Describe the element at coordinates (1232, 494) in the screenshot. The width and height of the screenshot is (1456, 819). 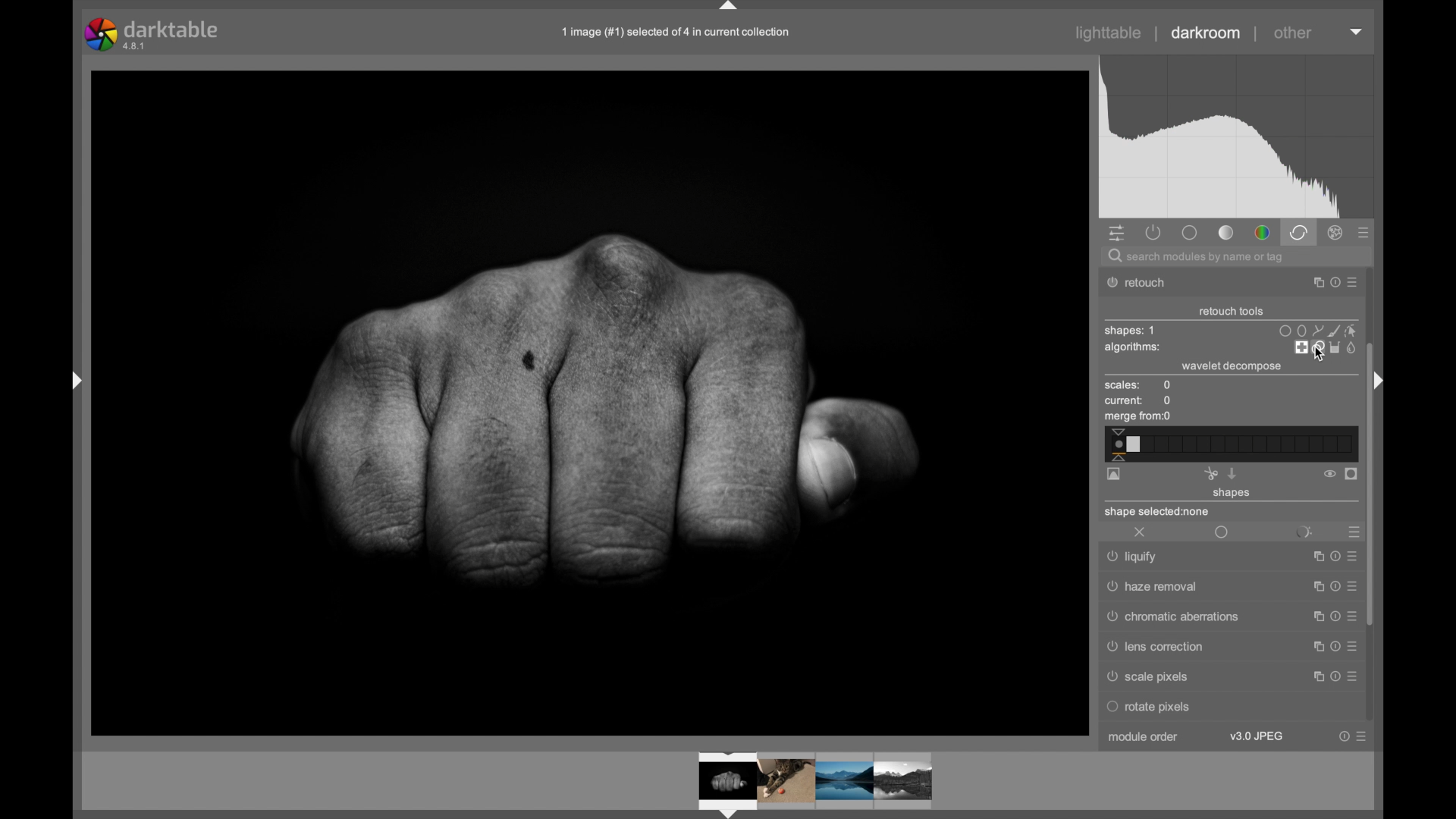
I see `shapes` at that location.